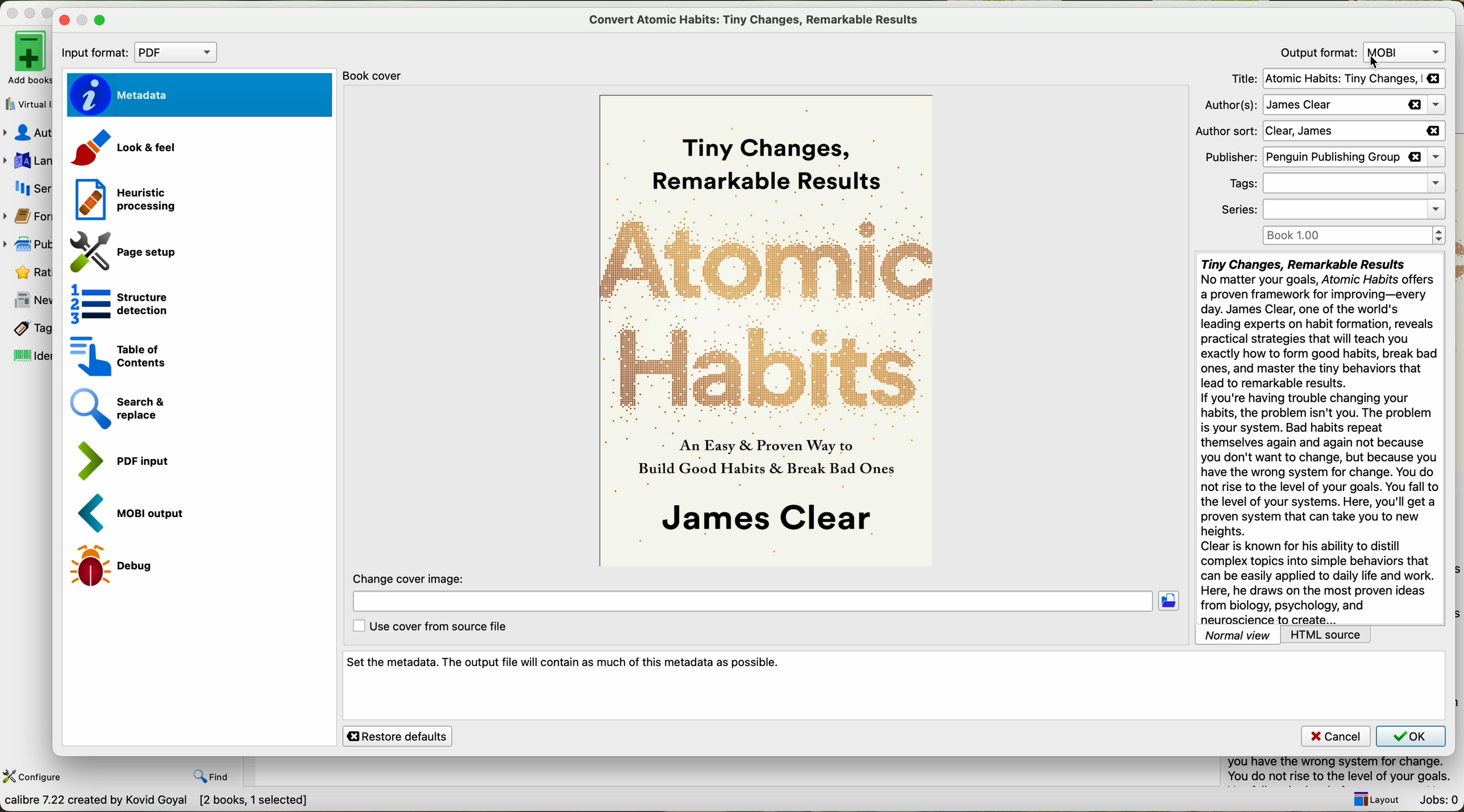 The width and height of the screenshot is (1464, 812). Describe the element at coordinates (50, 10) in the screenshot. I see `maximize` at that location.